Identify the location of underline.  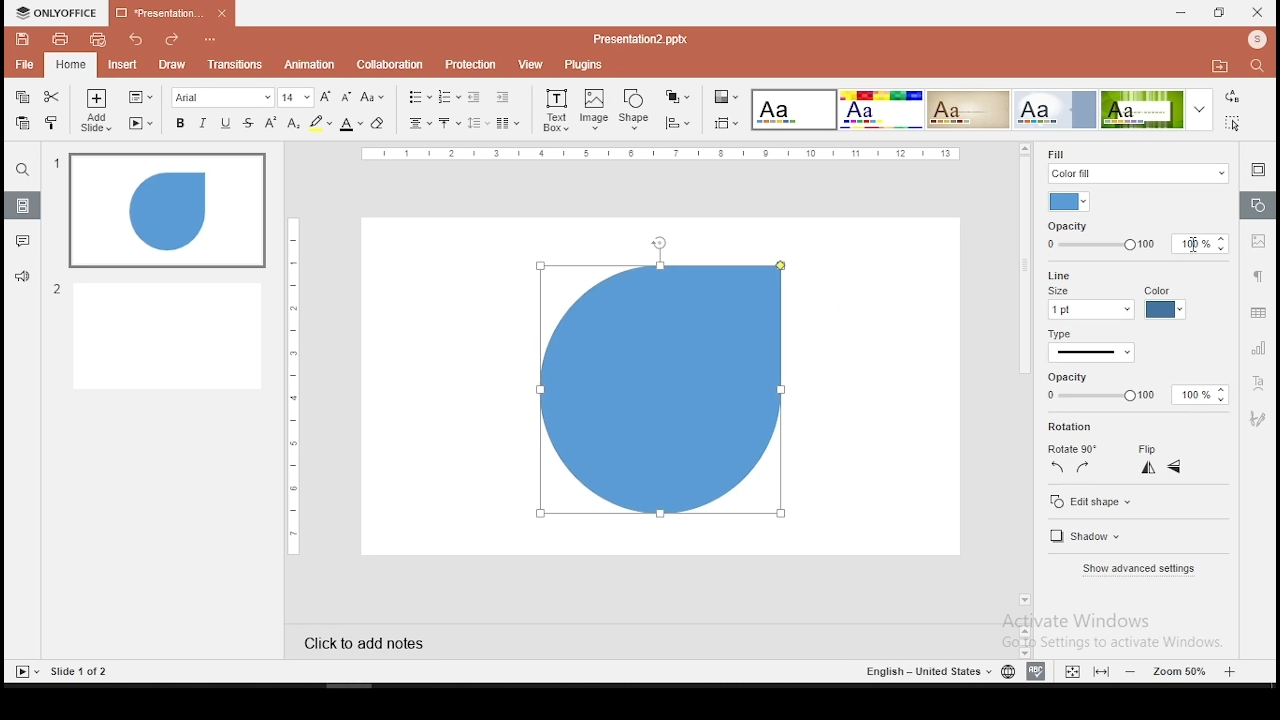
(226, 123).